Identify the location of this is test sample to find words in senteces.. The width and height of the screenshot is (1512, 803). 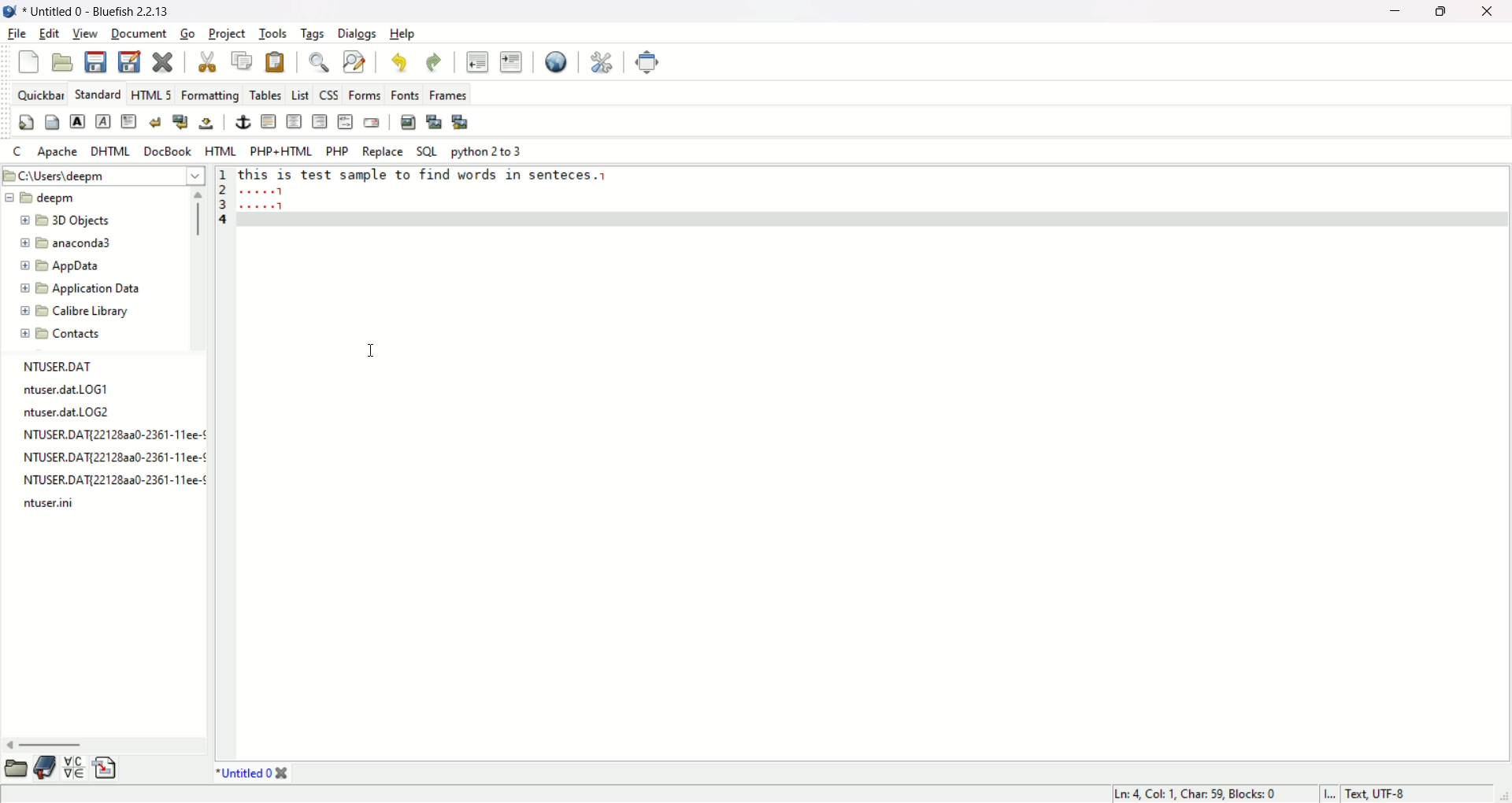
(415, 175).